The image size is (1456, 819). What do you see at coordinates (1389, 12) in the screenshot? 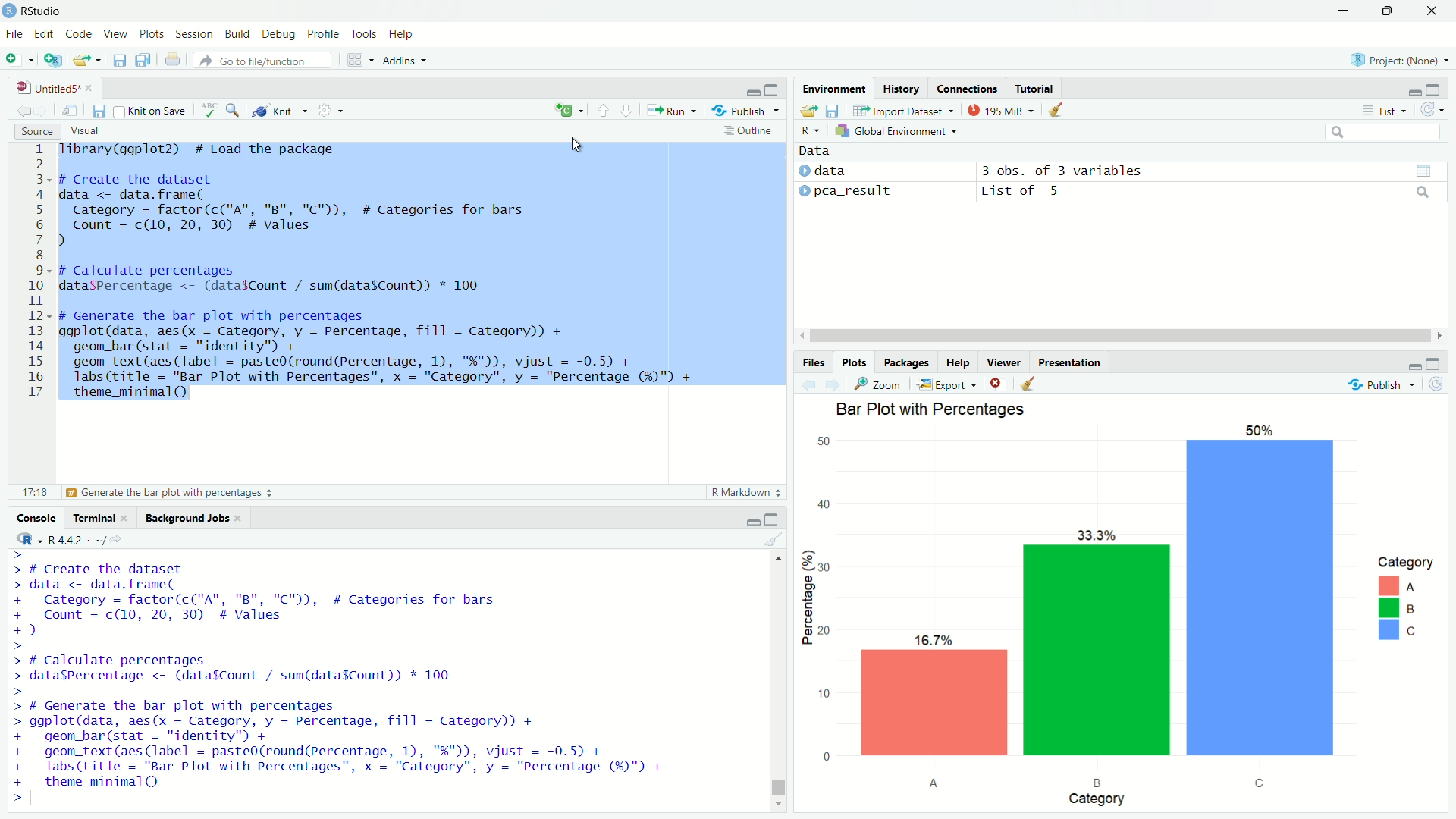
I see `maximize` at bounding box center [1389, 12].